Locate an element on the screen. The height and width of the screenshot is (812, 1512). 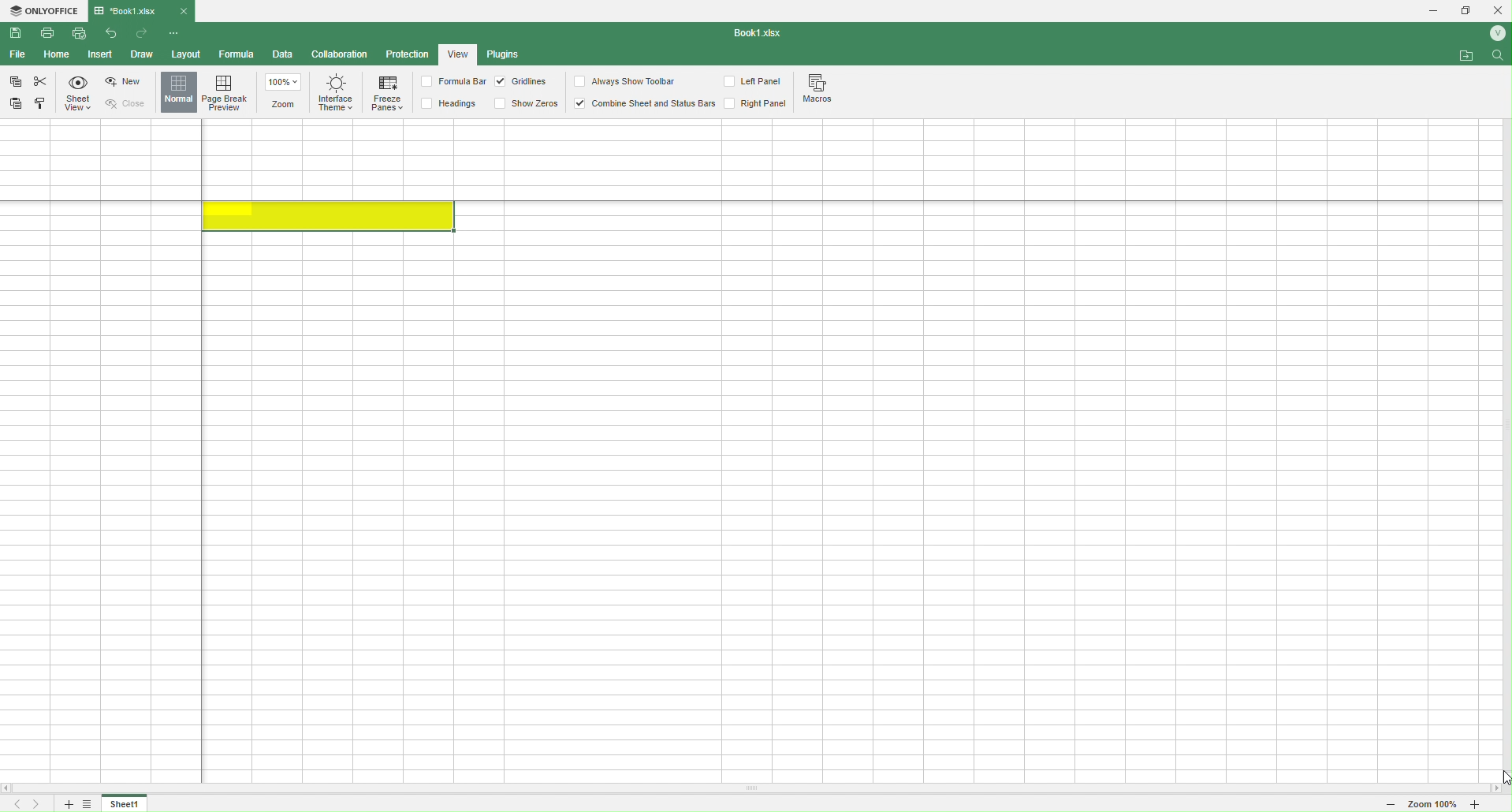
Scroll to the last sheet is located at coordinates (39, 804).